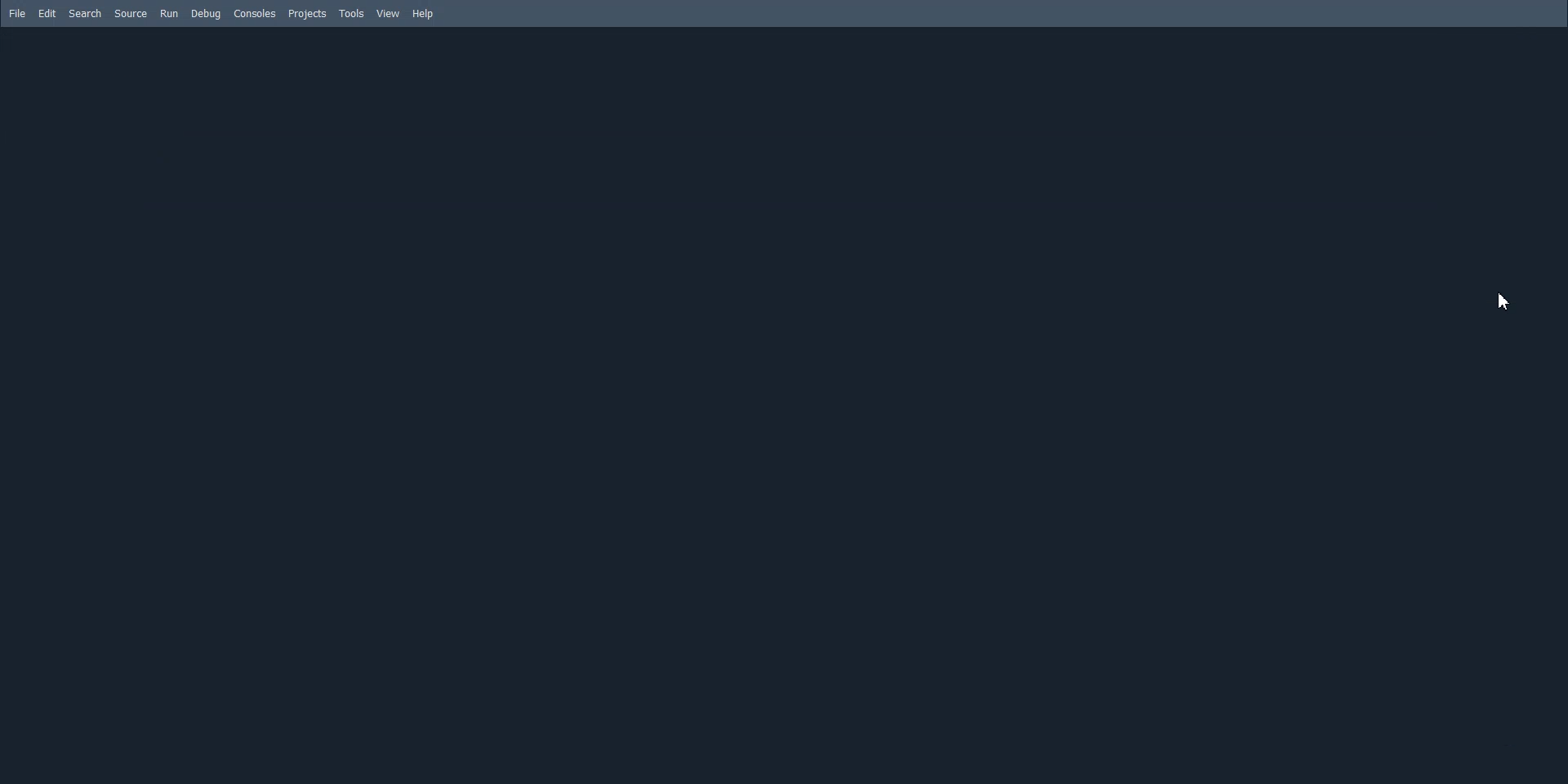 The height and width of the screenshot is (784, 1568). What do you see at coordinates (86, 13) in the screenshot?
I see `Search` at bounding box center [86, 13].